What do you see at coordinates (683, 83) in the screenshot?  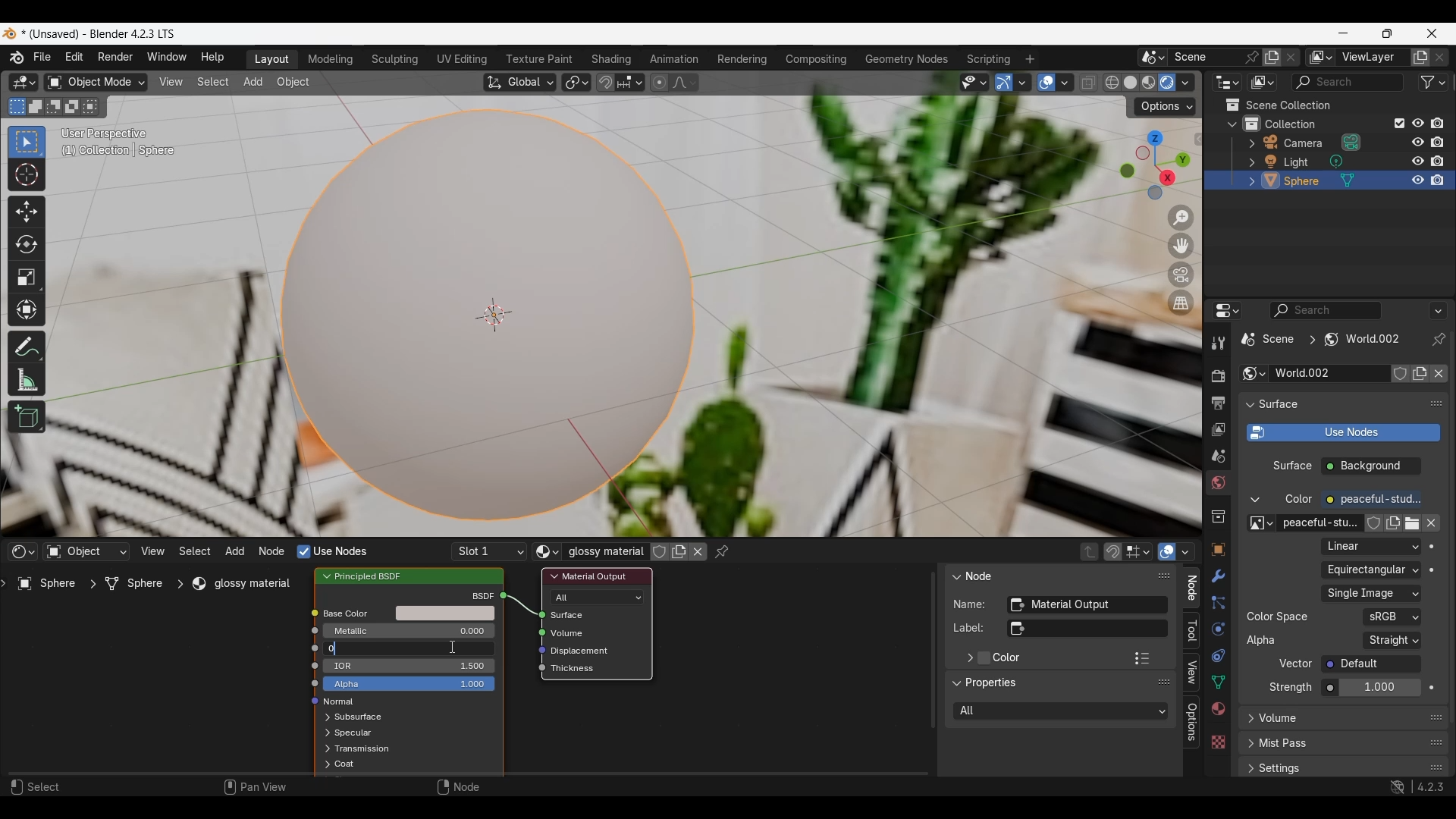 I see `Proportional editing fall off` at bounding box center [683, 83].